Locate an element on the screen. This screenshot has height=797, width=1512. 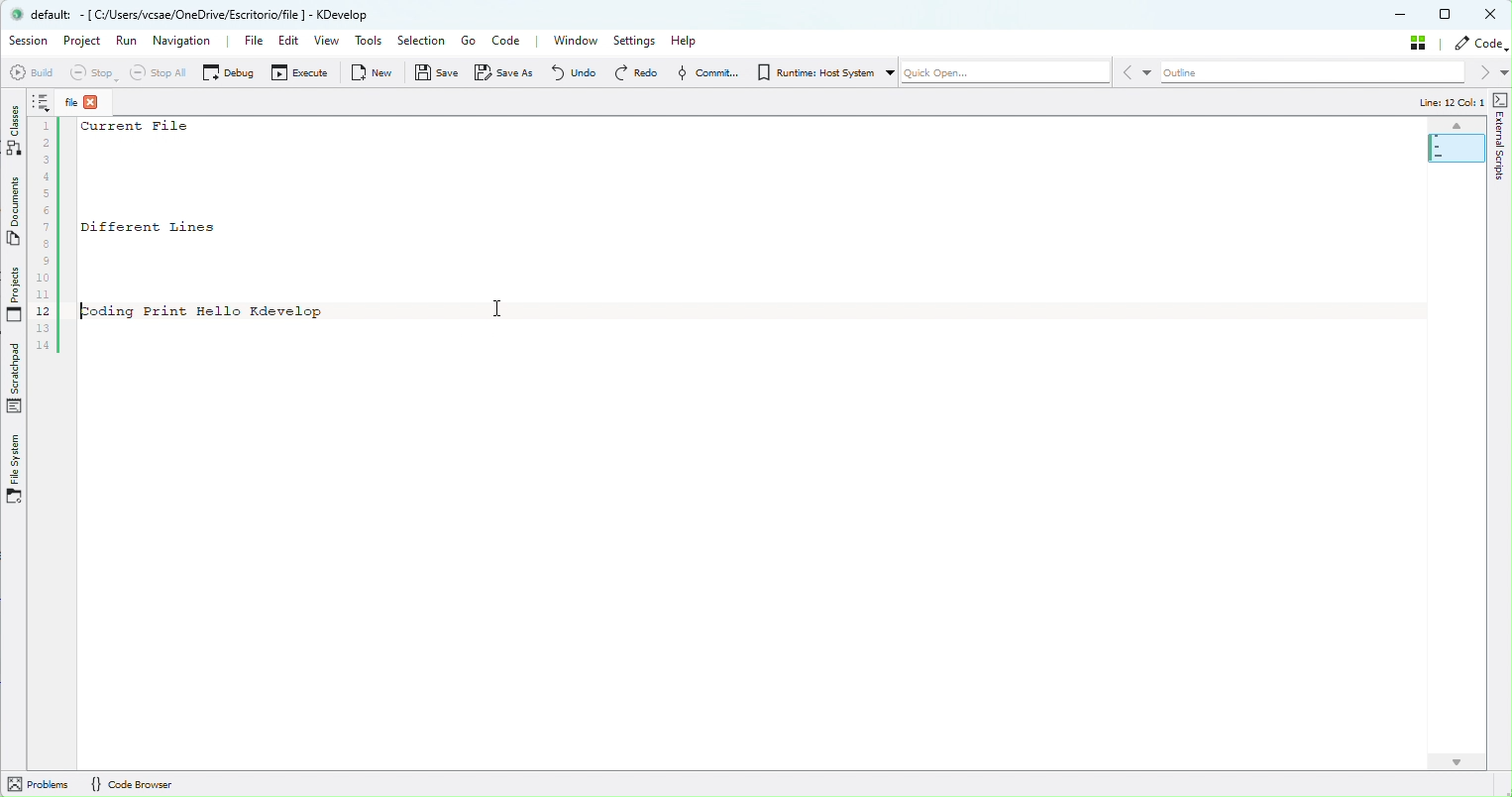
Go is located at coordinates (464, 42).